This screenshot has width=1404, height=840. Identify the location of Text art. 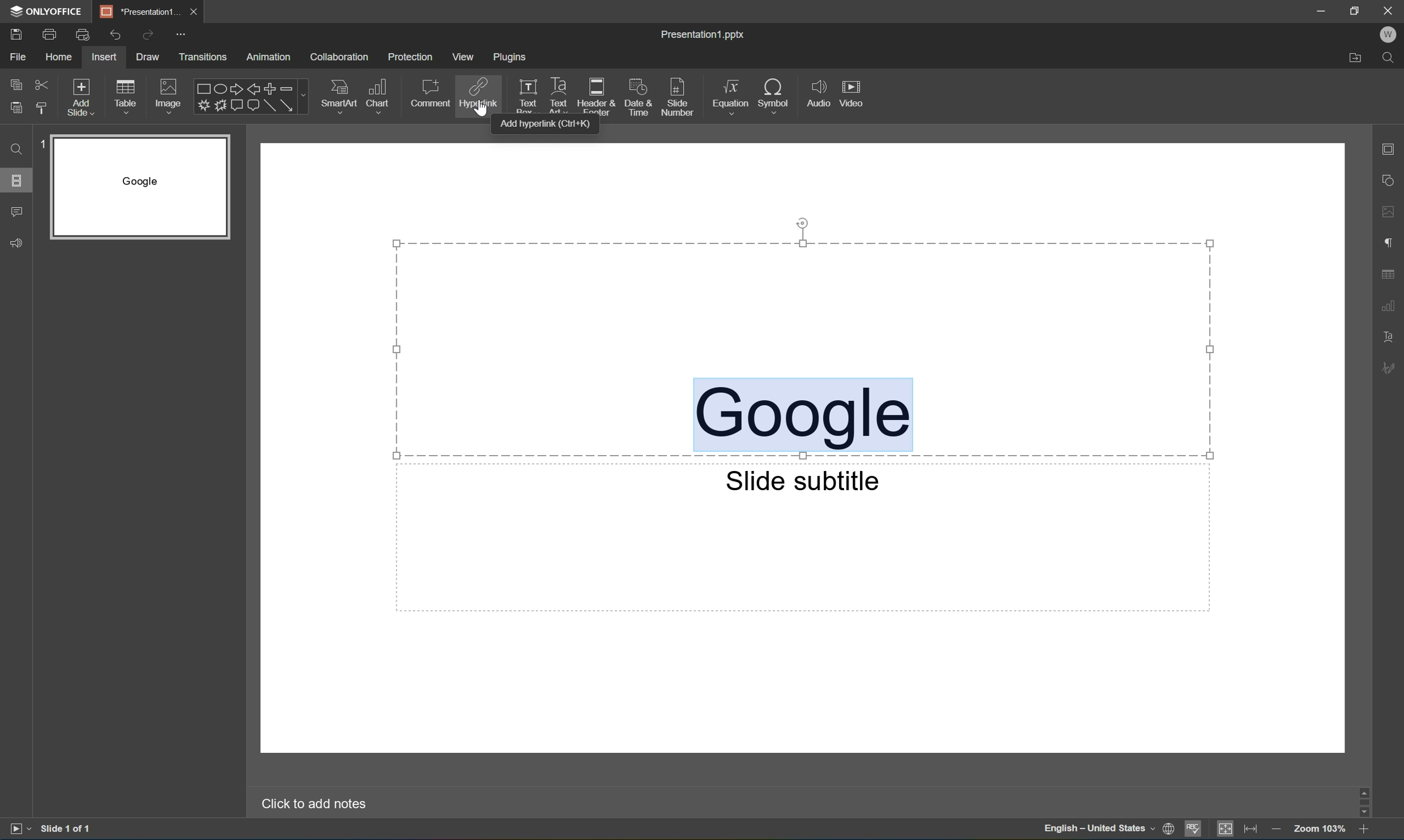
(559, 90).